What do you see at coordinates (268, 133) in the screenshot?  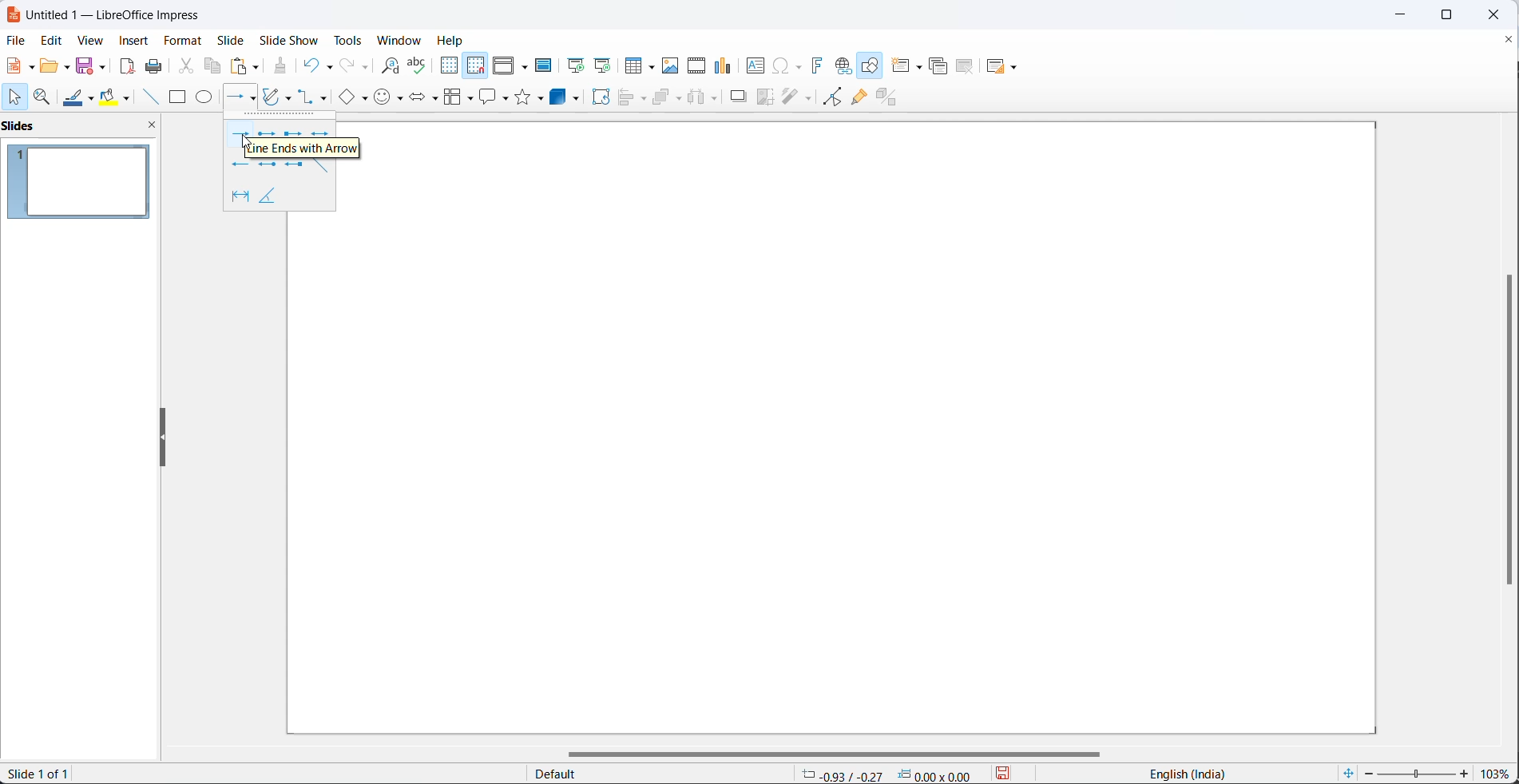 I see `arrow pointing right with circular tail` at bounding box center [268, 133].